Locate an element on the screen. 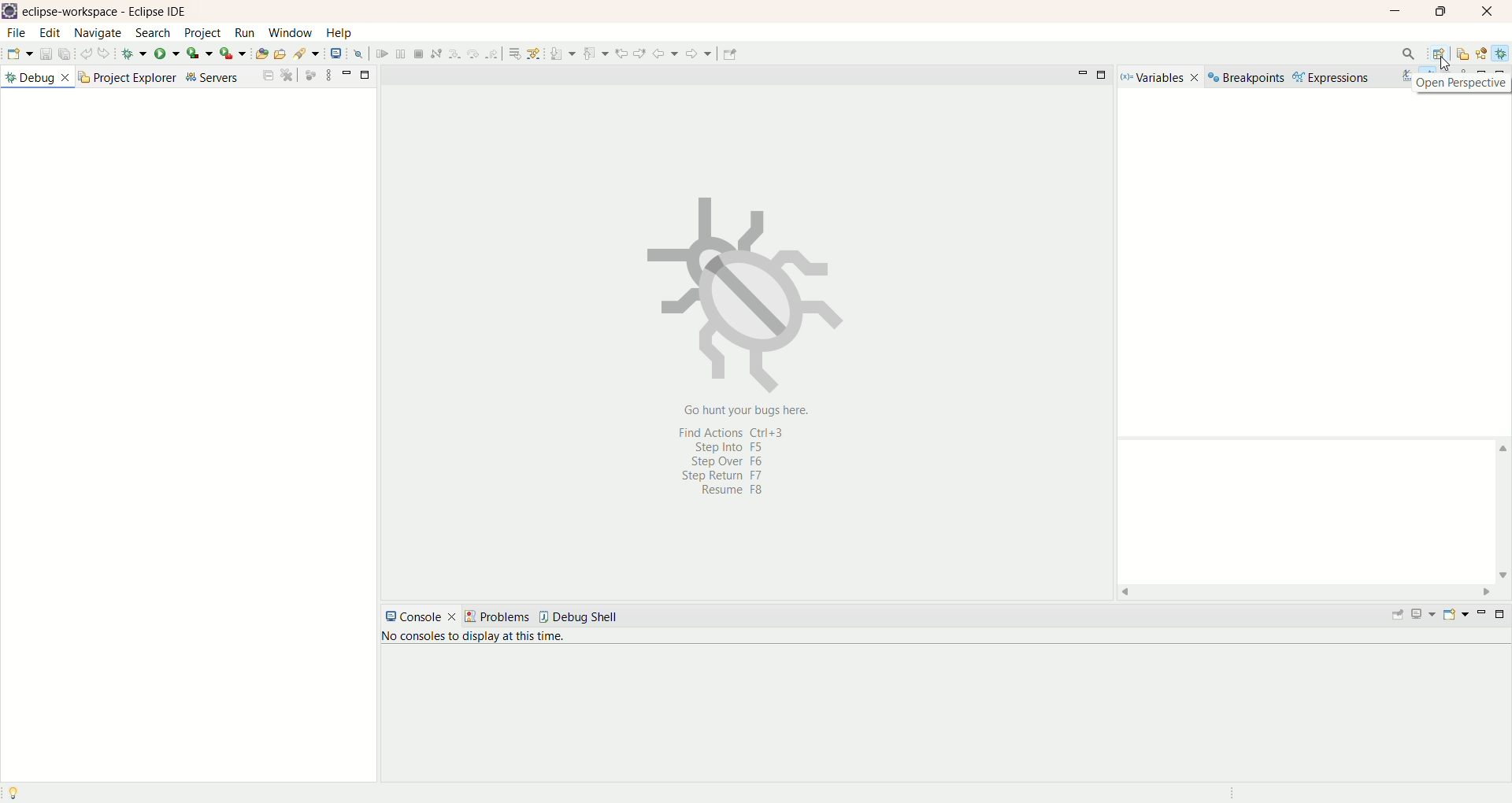 The width and height of the screenshot is (1512, 803). step over is located at coordinates (587, 54).